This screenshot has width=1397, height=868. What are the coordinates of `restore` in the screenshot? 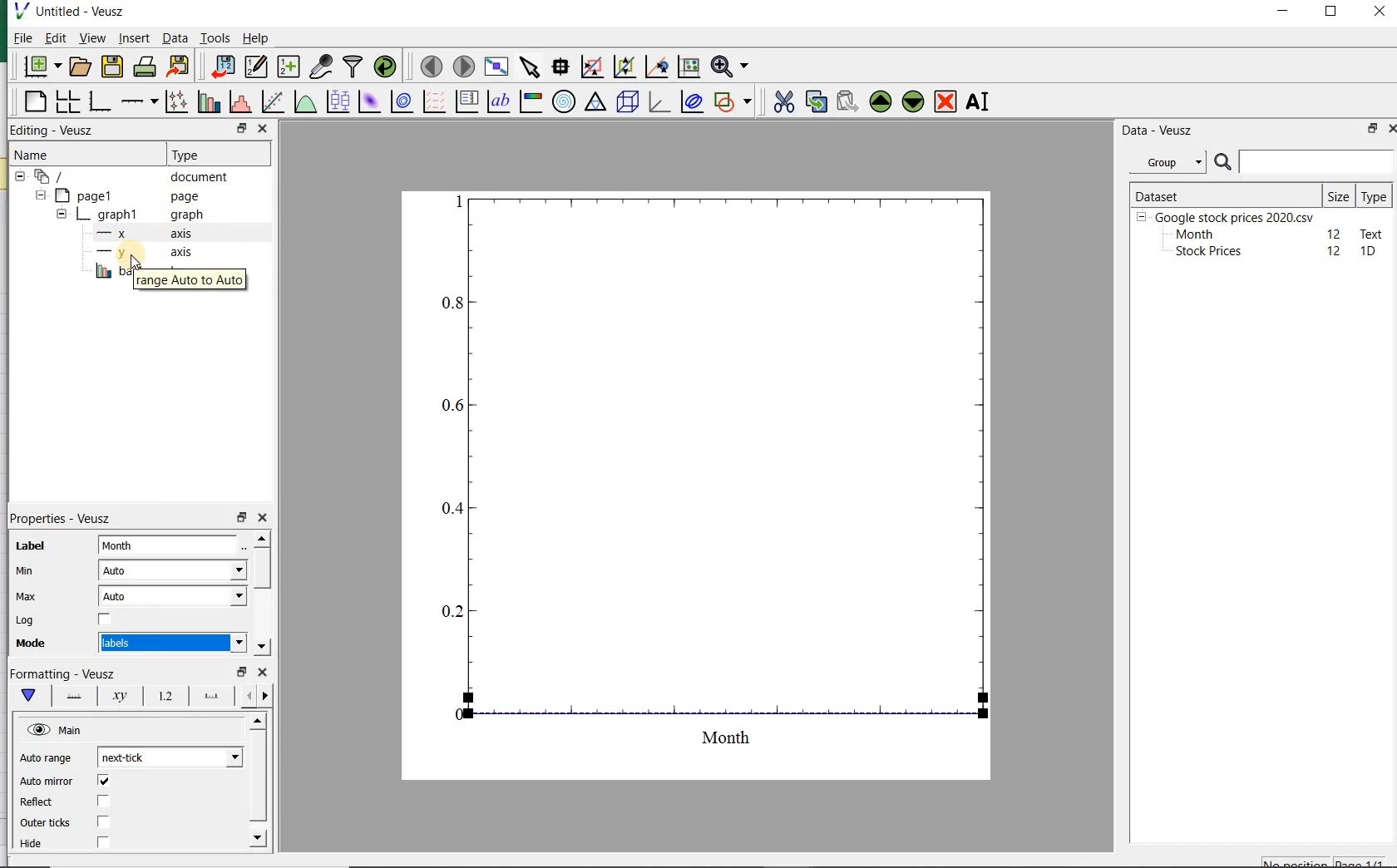 It's located at (1370, 130).